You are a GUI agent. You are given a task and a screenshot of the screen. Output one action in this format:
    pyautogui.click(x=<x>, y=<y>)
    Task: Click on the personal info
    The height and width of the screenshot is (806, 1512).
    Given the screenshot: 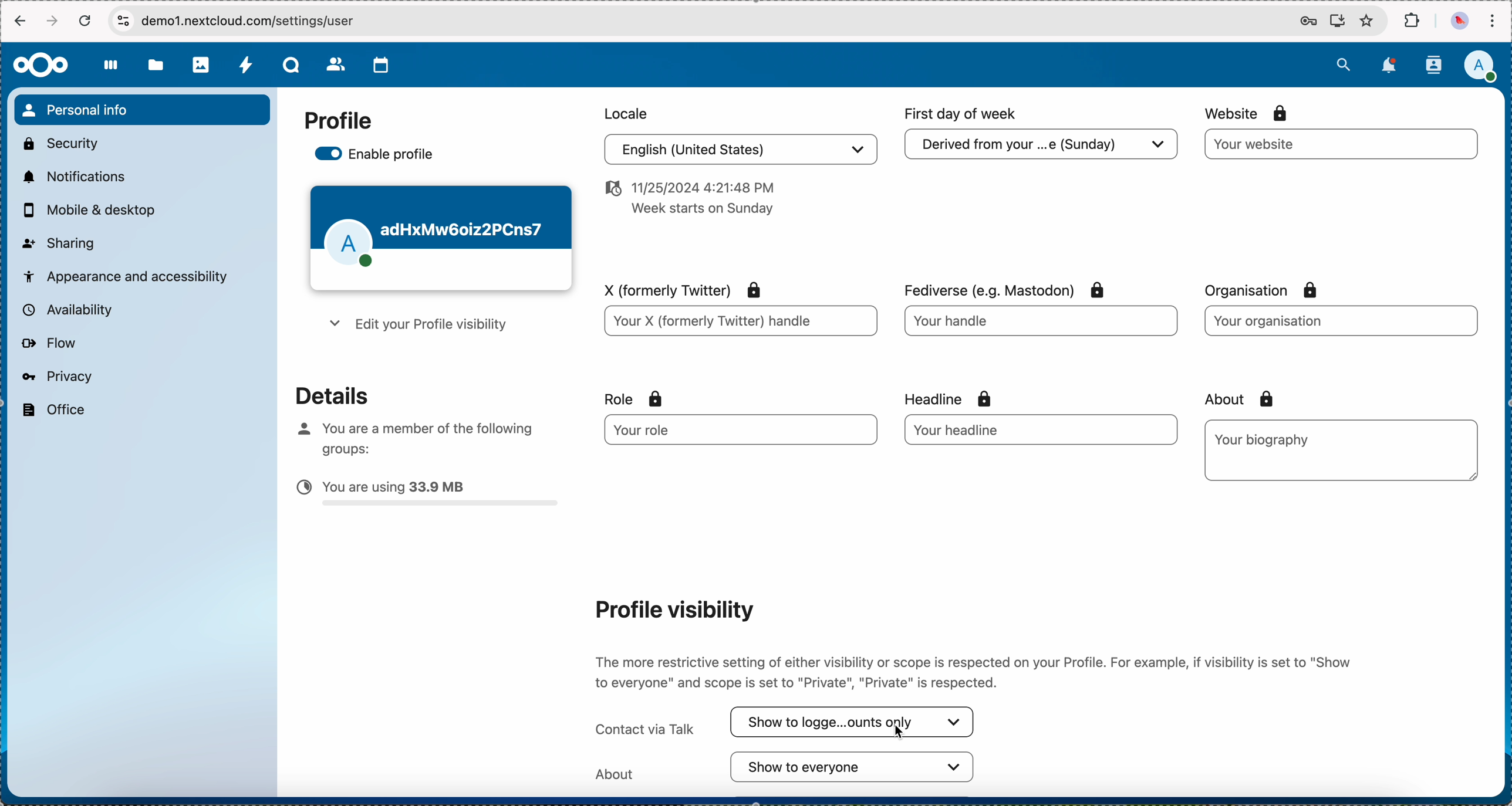 What is the action you would take?
    pyautogui.click(x=141, y=110)
    